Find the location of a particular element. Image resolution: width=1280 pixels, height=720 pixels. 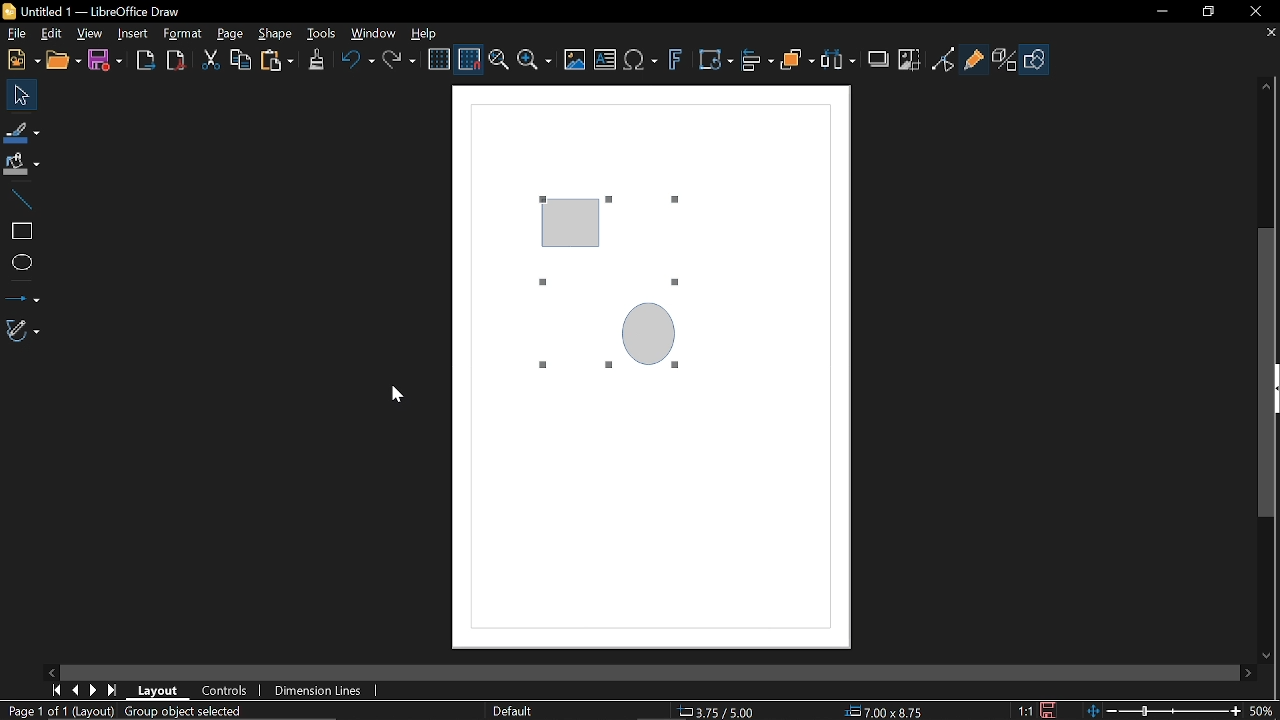

Line is located at coordinates (21, 197).